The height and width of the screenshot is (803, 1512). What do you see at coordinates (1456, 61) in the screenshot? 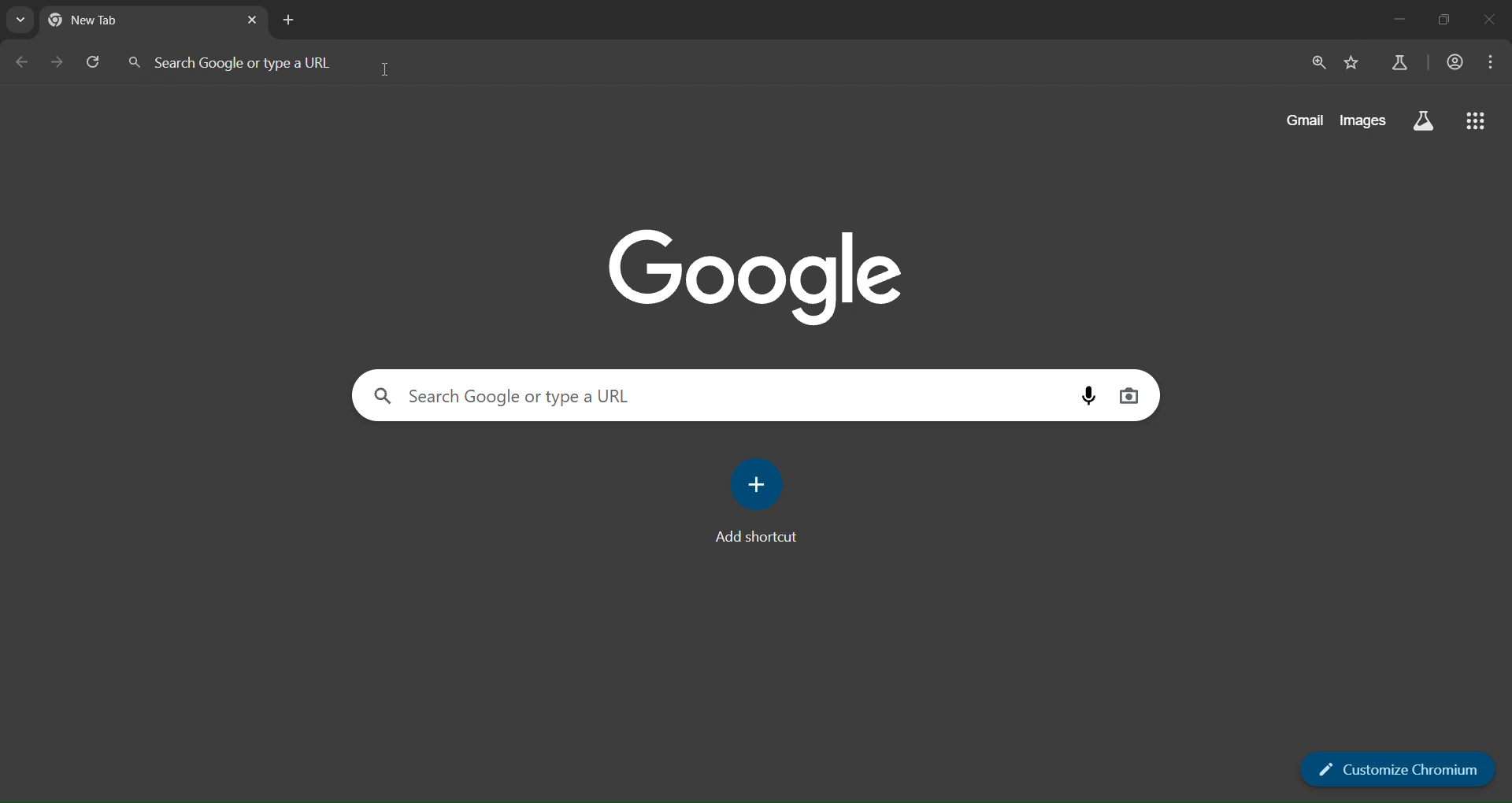
I see `accounts` at bounding box center [1456, 61].